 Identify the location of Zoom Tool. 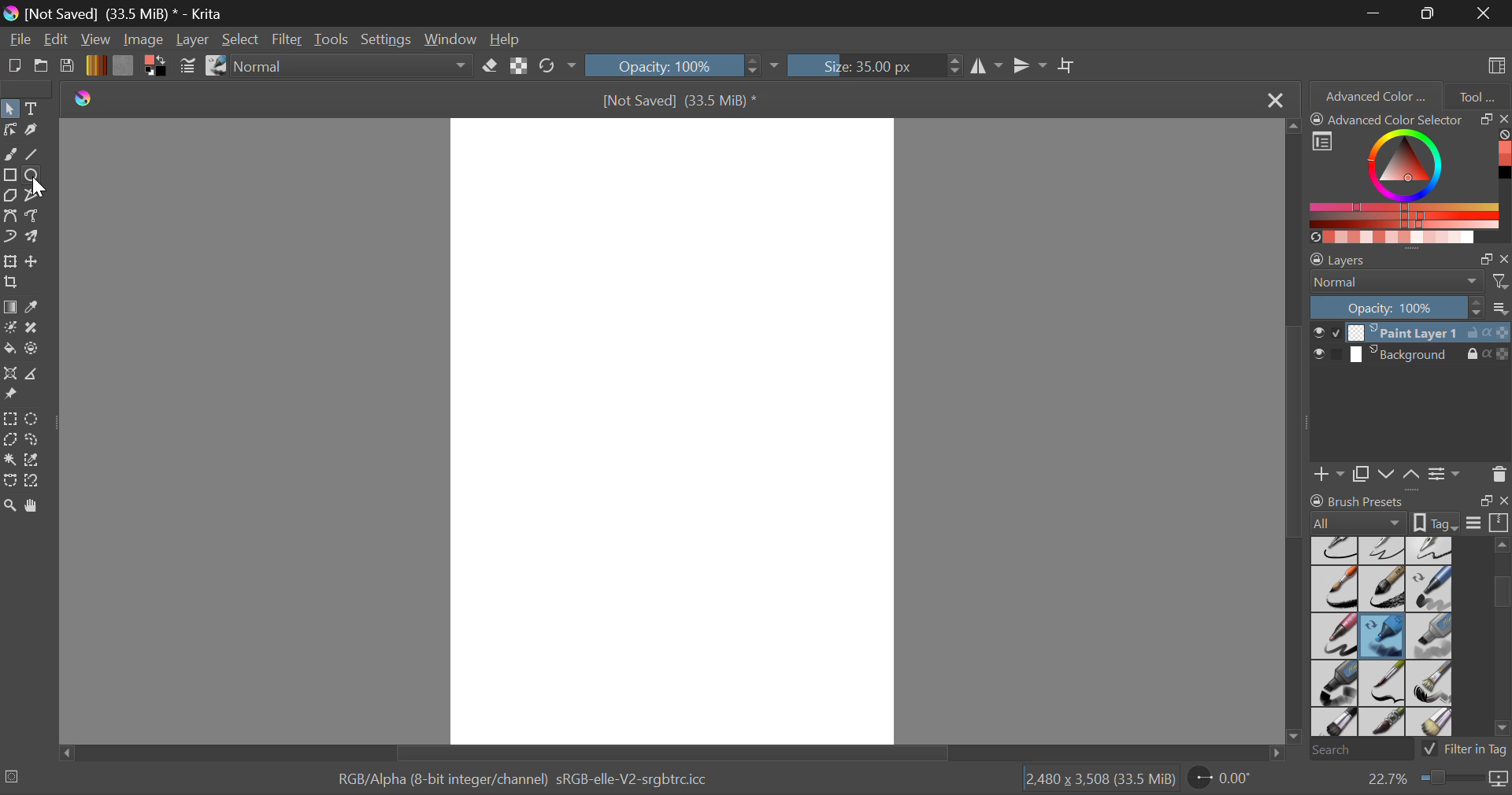
(10, 505).